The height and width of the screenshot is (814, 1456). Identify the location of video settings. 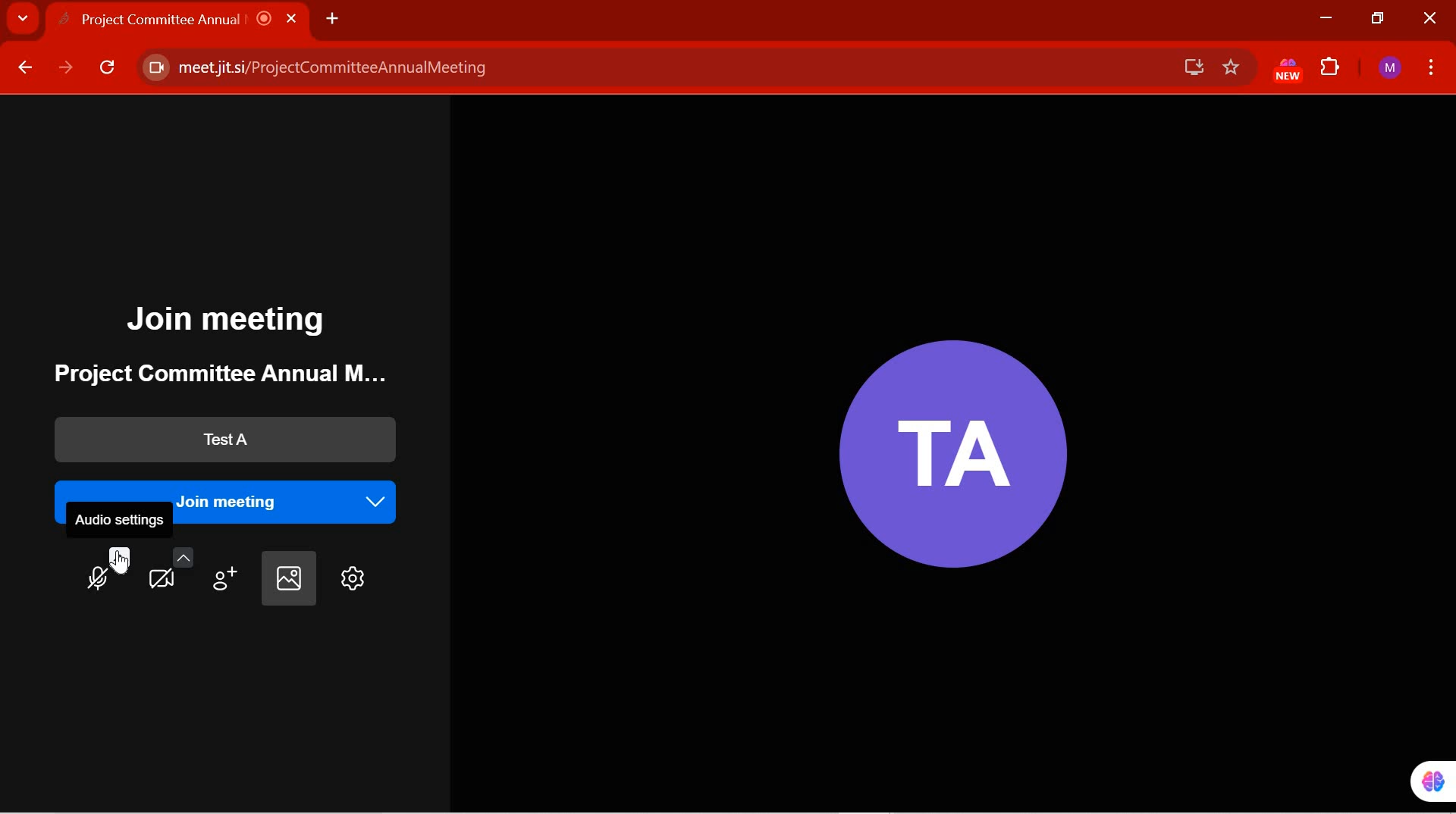
(171, 568).